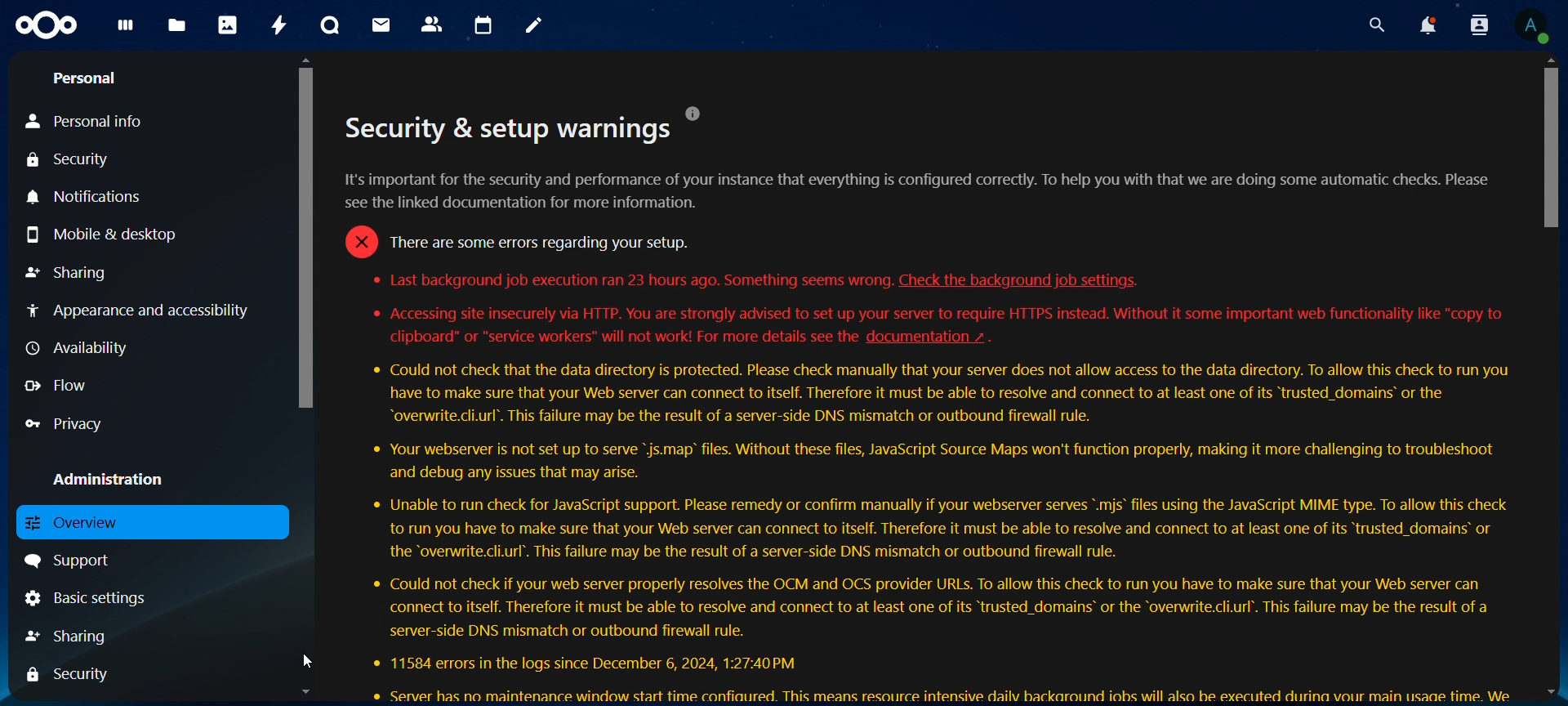  Describe the element at coordinates (87, 79) in the screenshot. I see `personal` at that location.